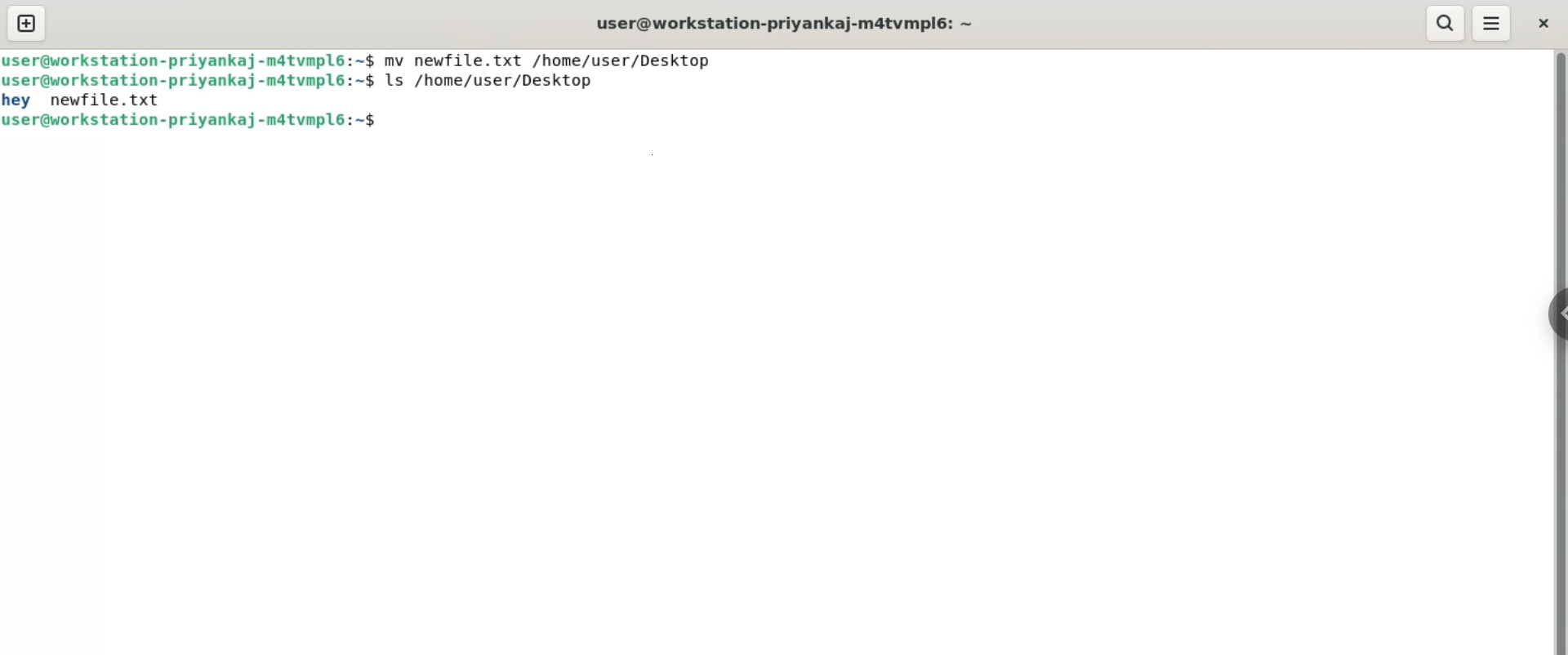 Image resolution: width=1568 pixels, height=655 pixels. Describe the element at coordinates (108, 100) in the screenshot. I see `newfile.txt` at that location.